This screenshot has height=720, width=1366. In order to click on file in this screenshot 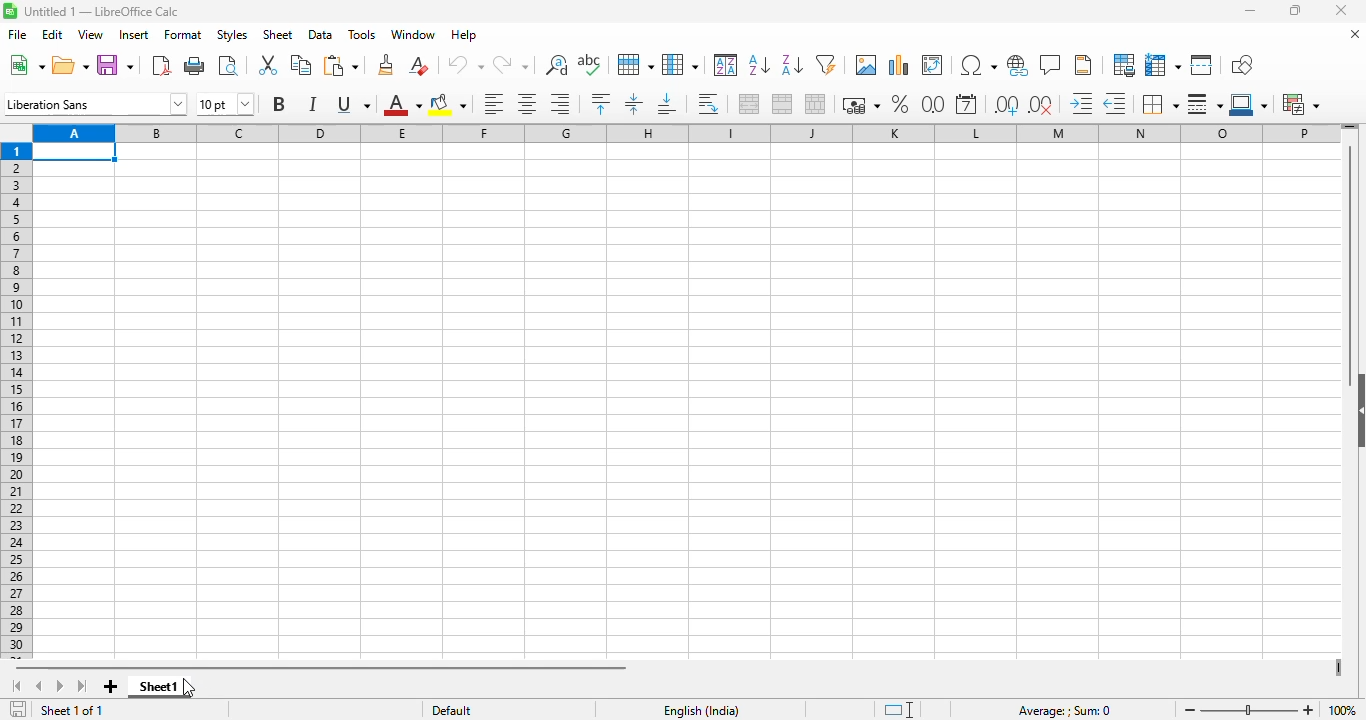, I will do `click(18, 35)`.